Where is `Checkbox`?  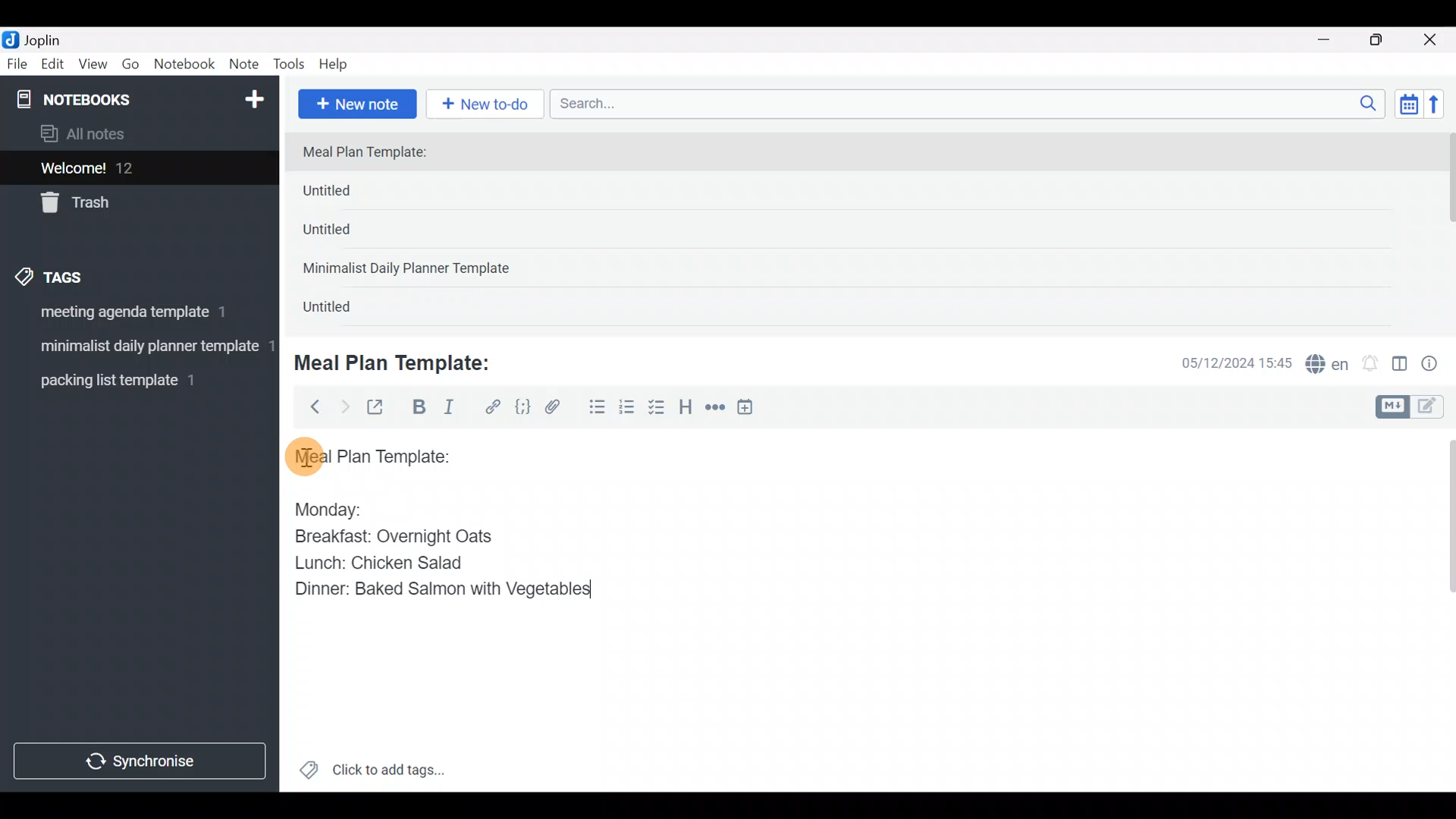 Checkbox is located at coordinates (658, 409).